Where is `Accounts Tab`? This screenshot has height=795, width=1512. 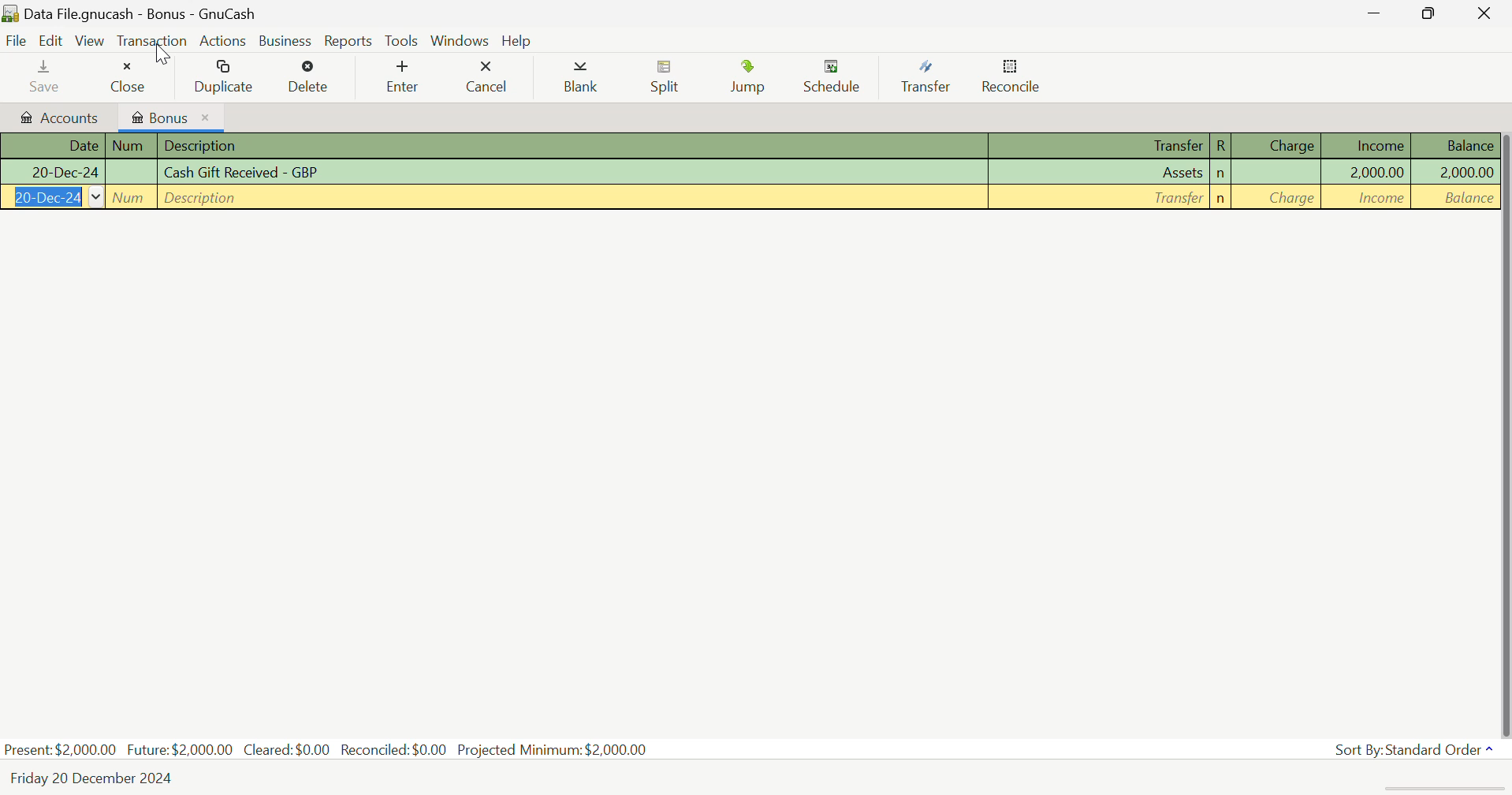
Accounts Tab is located at coordinates (56, 115).